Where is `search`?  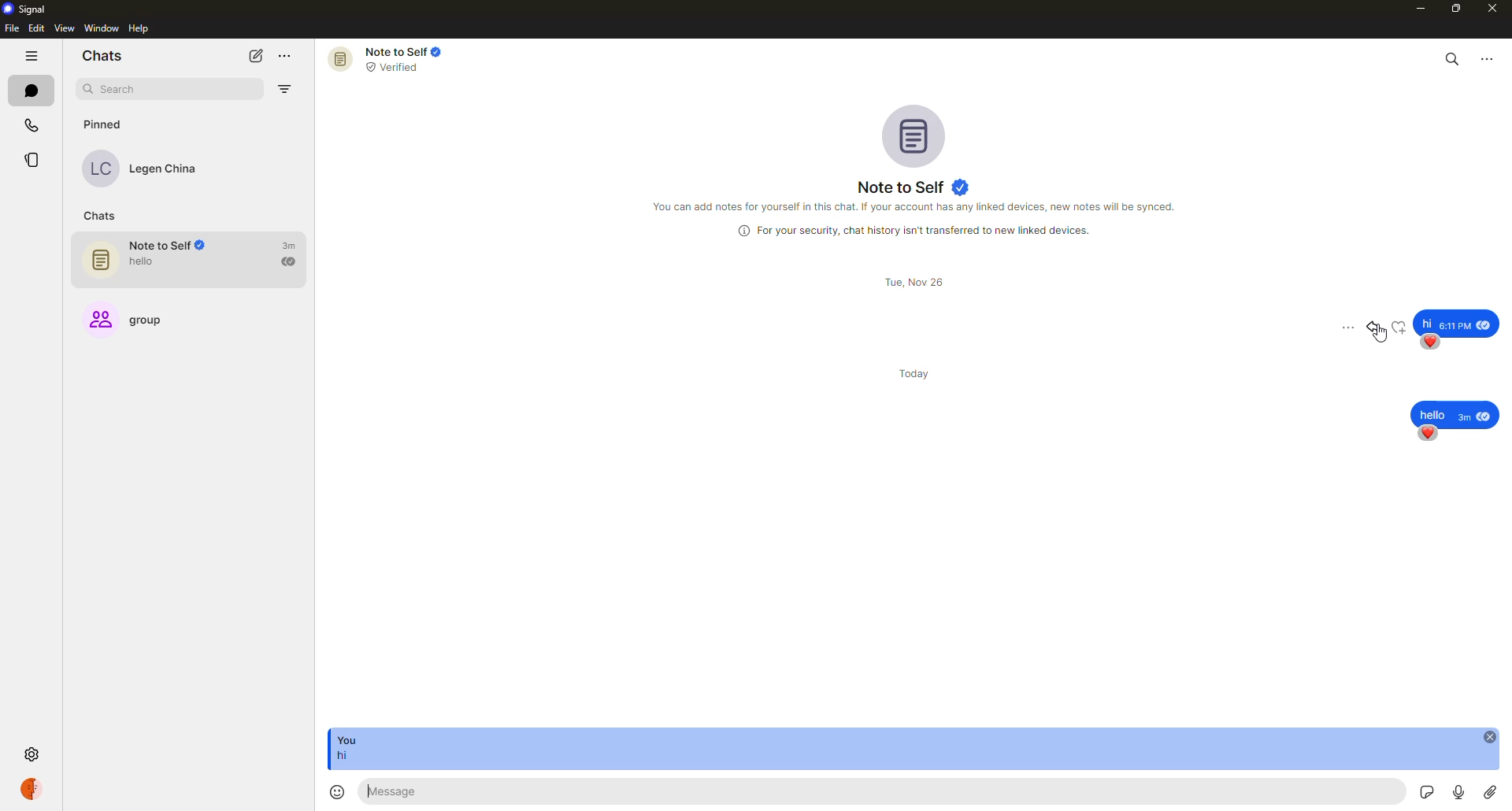
search is located at coordinates (147, 87).